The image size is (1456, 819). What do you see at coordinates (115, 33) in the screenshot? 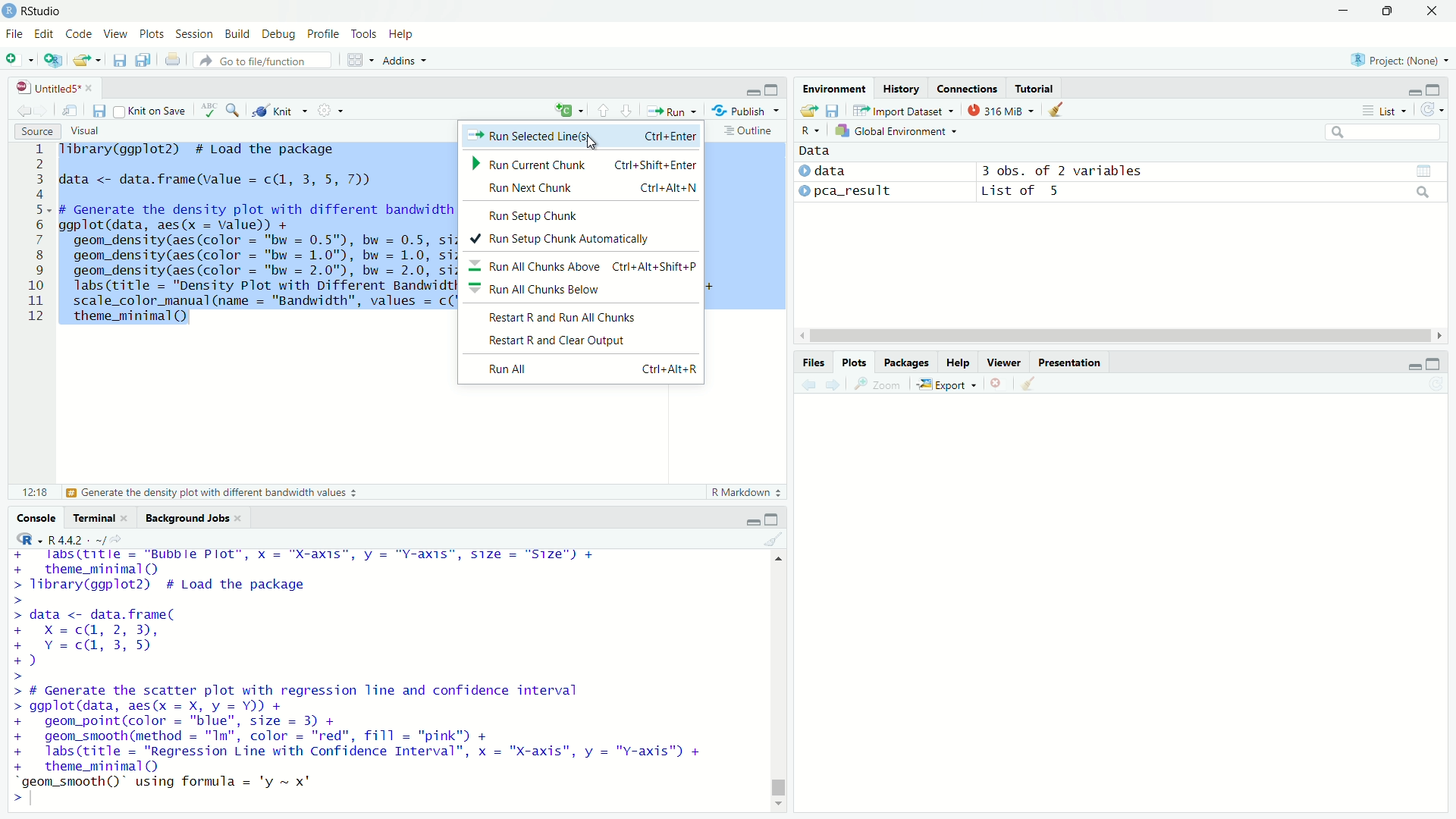
I see `View` at bounding box center [115, 33].